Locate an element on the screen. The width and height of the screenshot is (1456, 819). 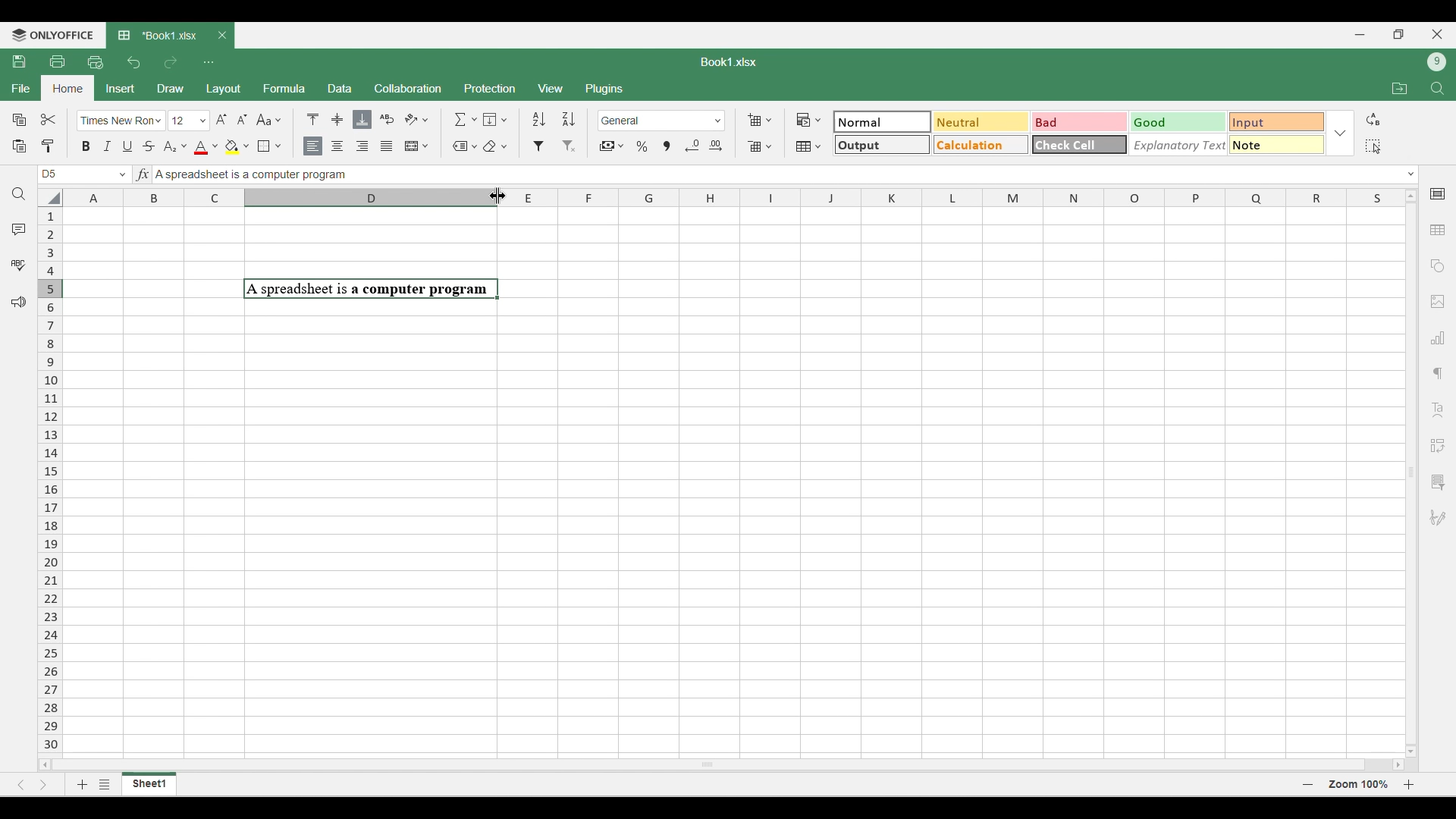
Feedback and support is located at coordinates (19, 303).